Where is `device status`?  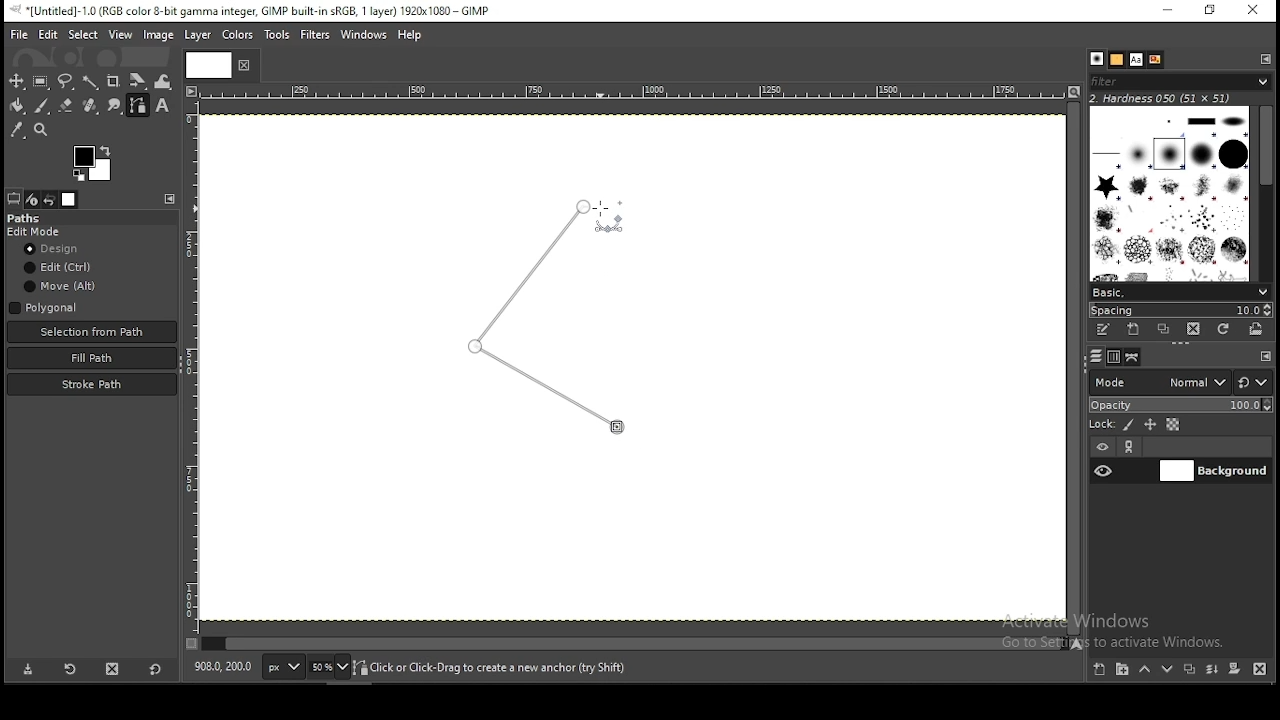 device status is located at coordinates (32, 199).